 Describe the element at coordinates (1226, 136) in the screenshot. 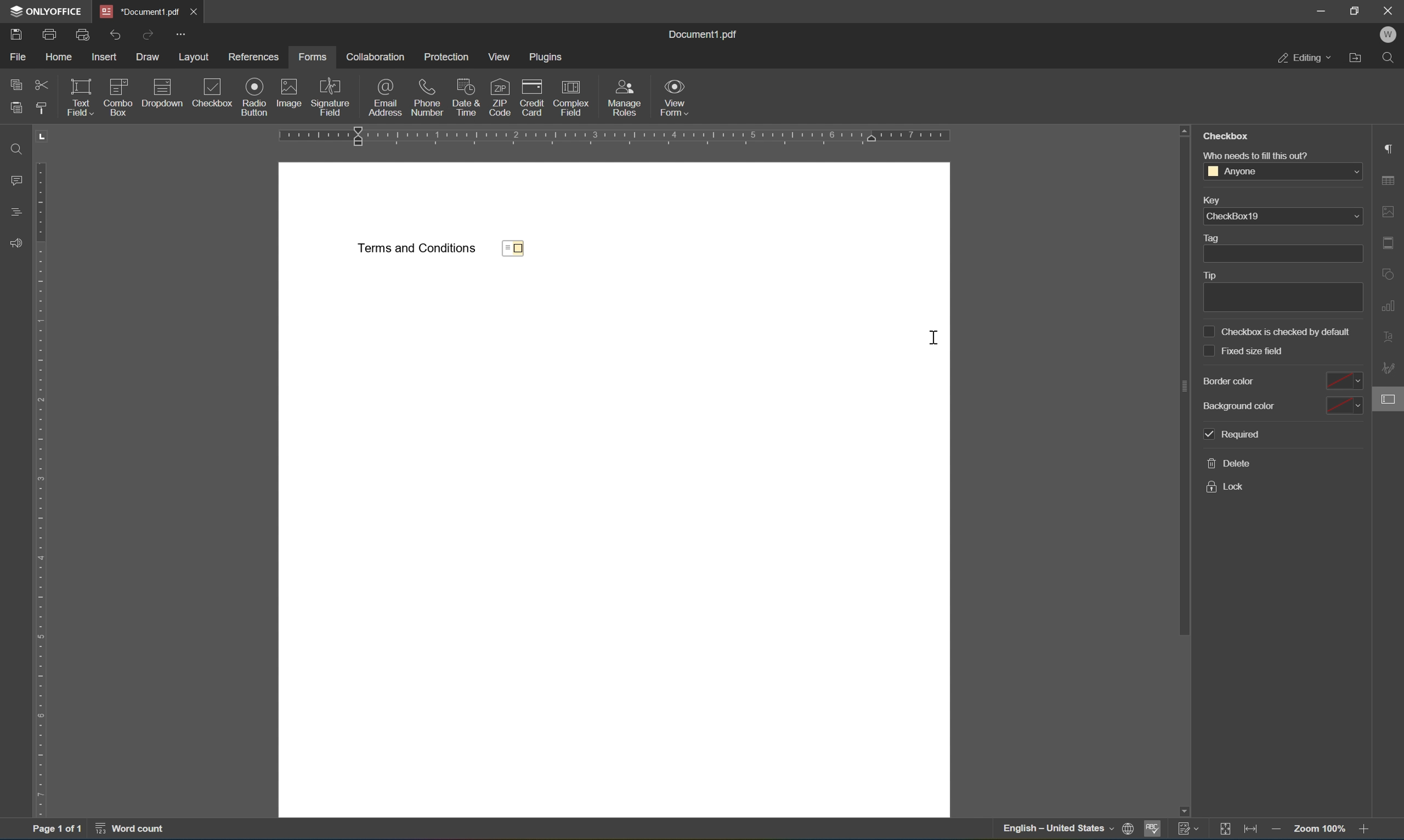

I see `checkbox` at that location.